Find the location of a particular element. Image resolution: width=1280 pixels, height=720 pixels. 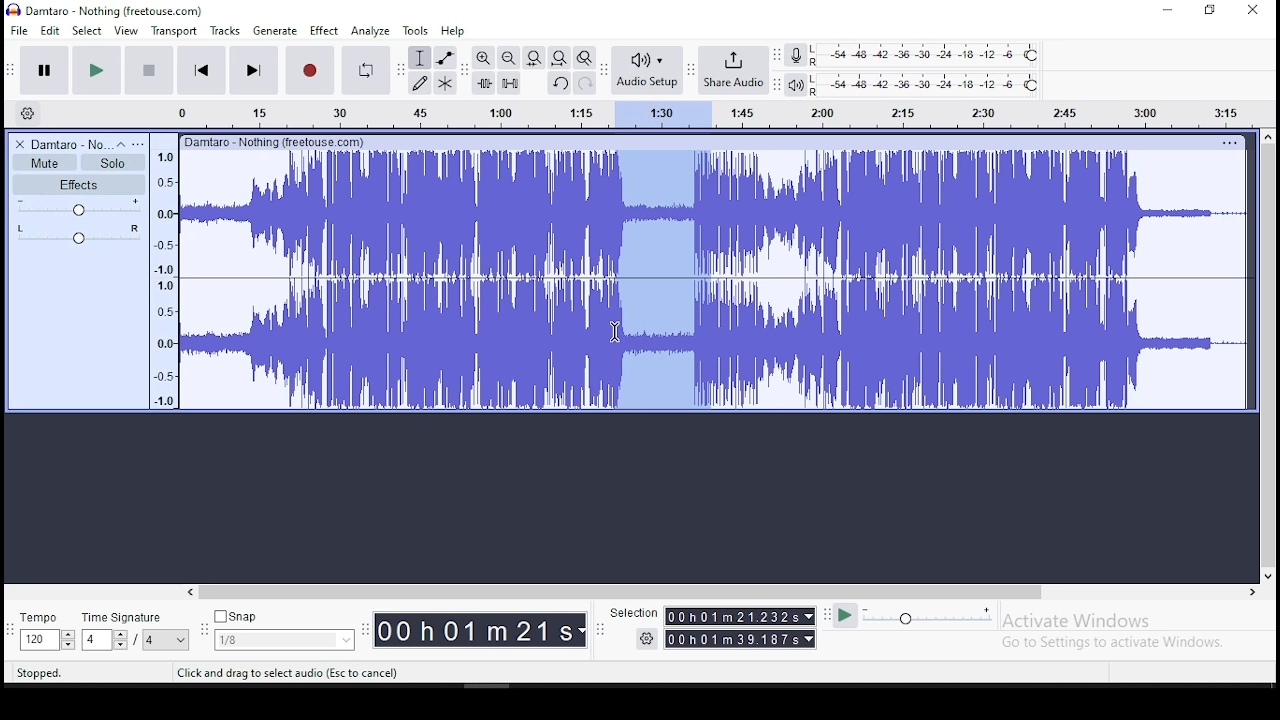

edit is located at coordinates (51, 31).